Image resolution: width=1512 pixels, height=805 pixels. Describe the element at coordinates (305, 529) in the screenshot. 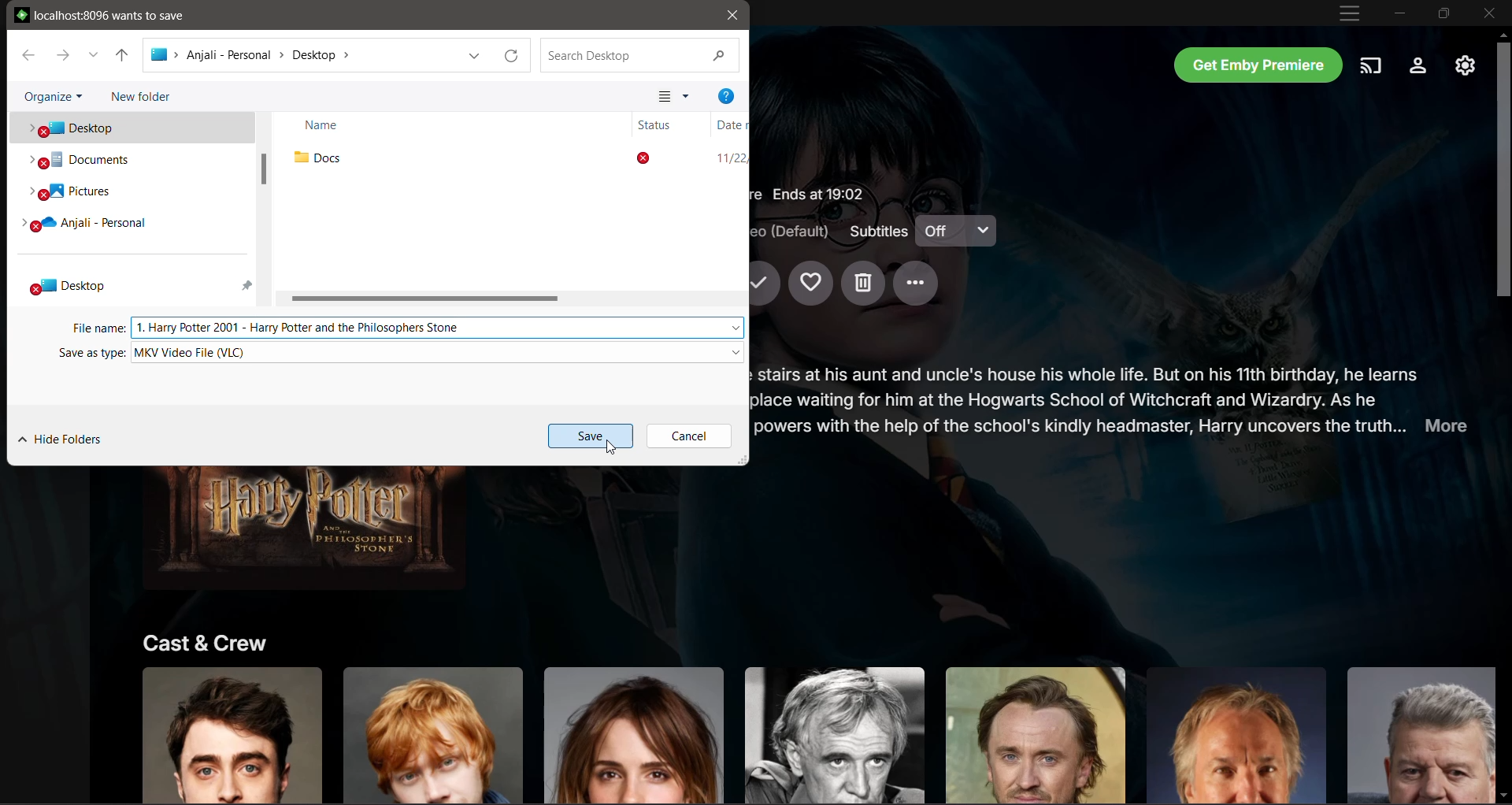

I see `Movie Image - Click to Play` at that location.